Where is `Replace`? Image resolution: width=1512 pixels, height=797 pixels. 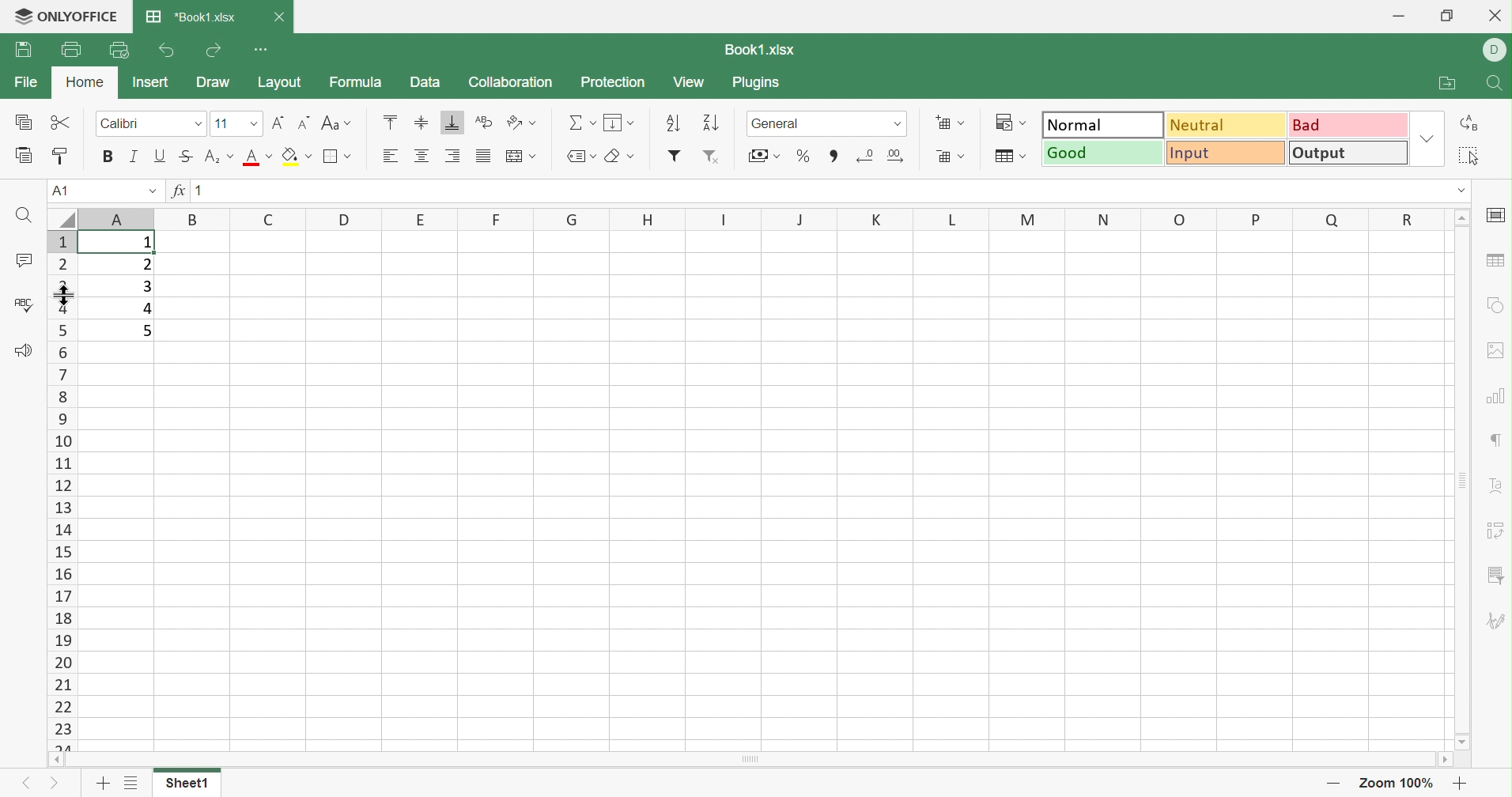
Replace is located at coordinates (1472, 122).